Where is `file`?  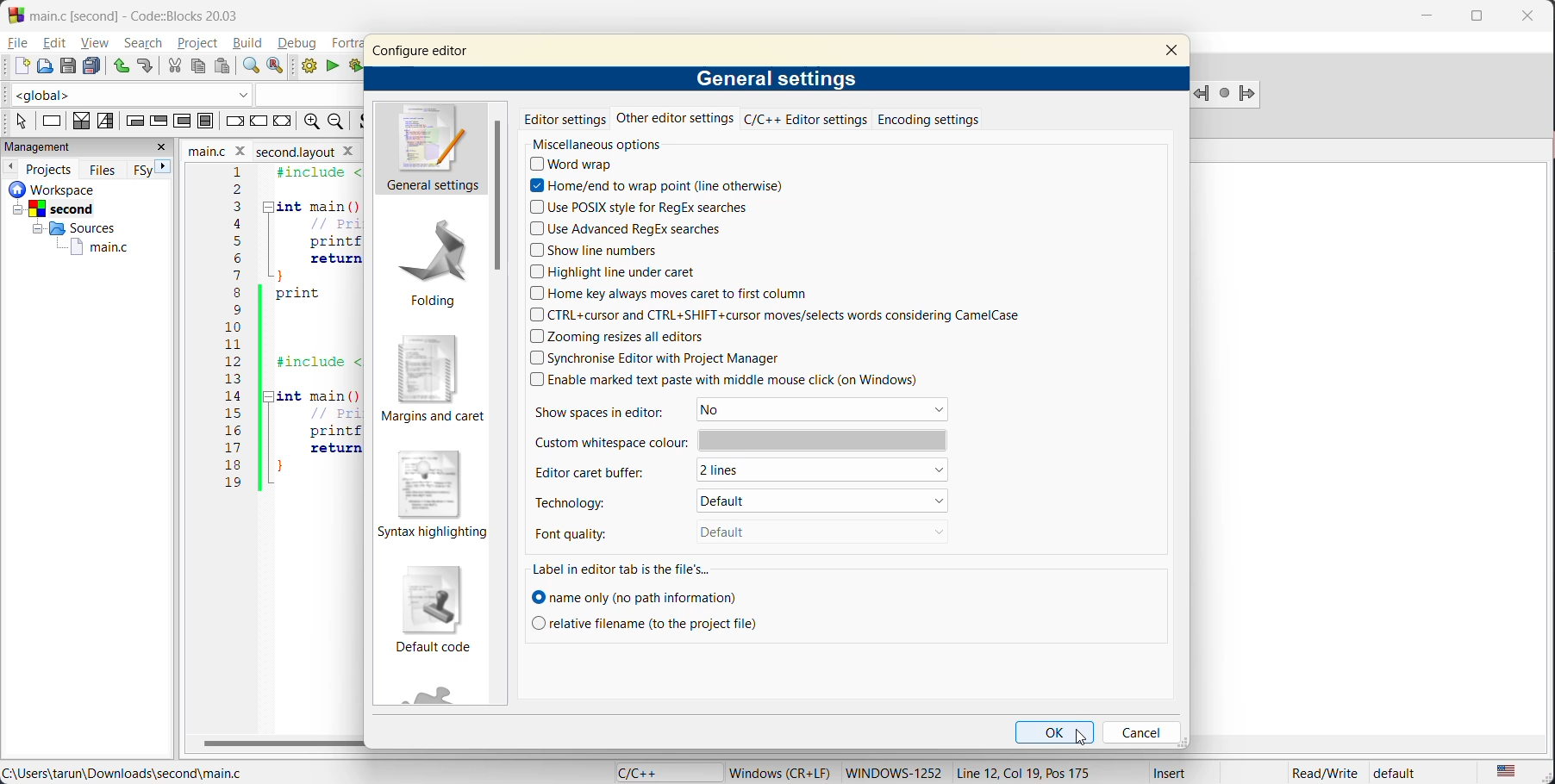
file is located at coordinates (20, 44).